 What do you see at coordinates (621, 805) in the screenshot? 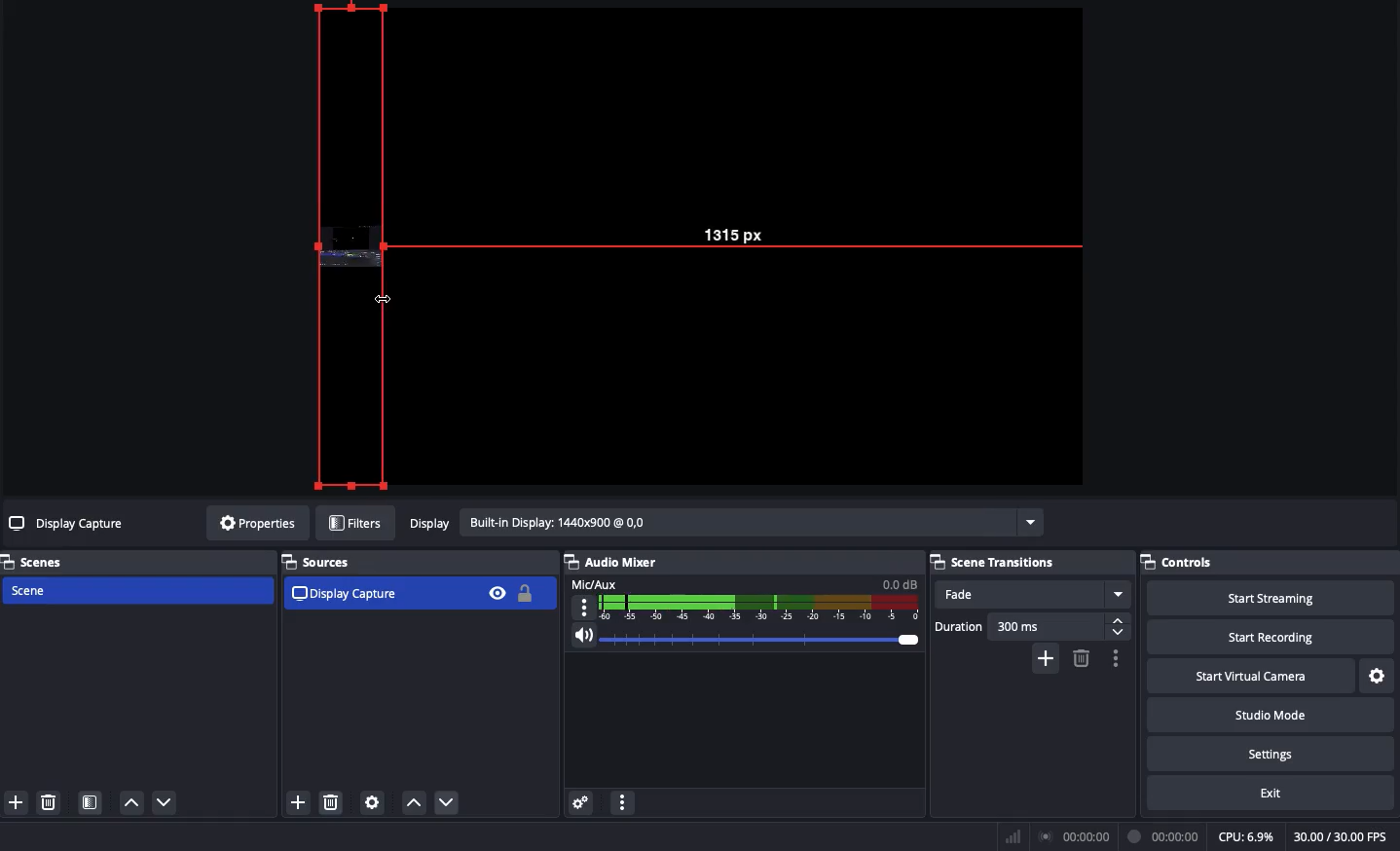
I see `More` at bounding box center [621, 805].